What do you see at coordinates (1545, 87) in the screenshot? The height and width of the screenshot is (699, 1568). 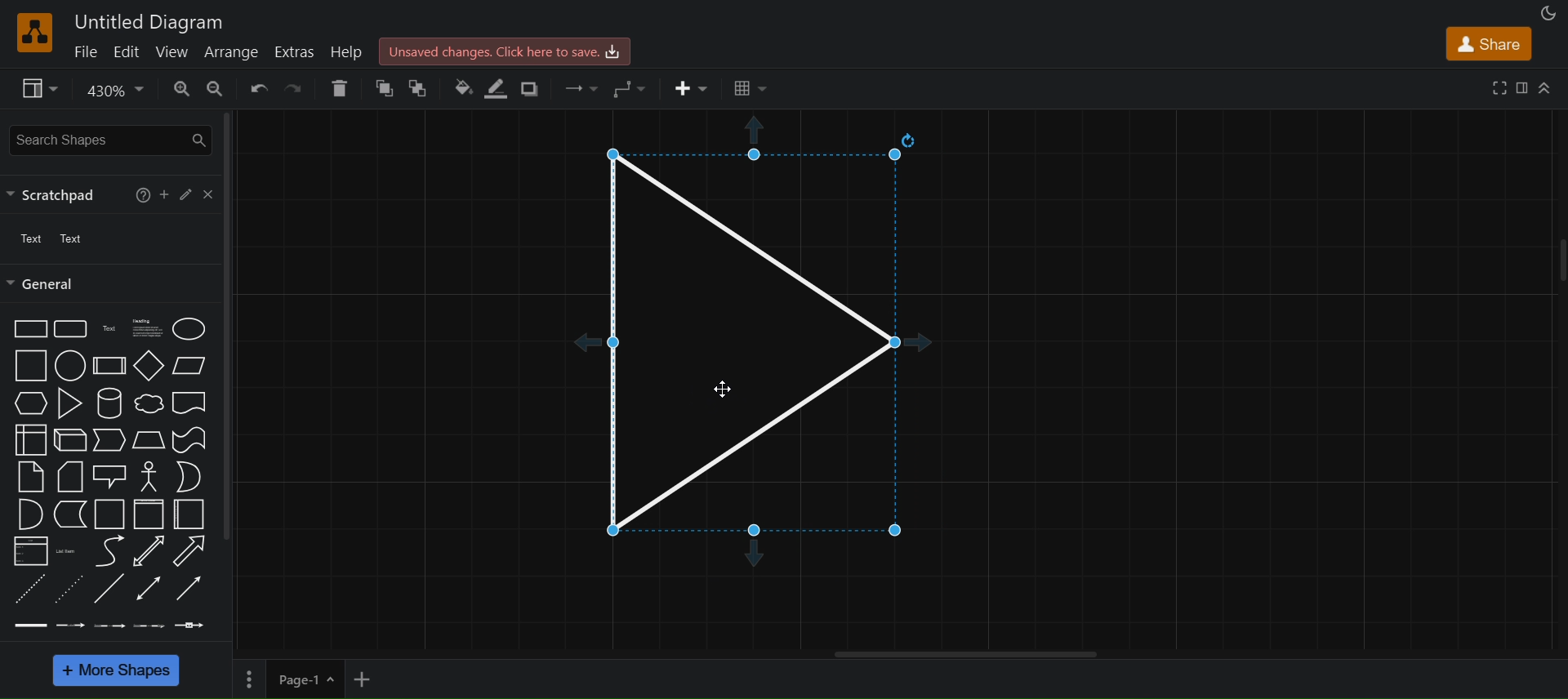 I see `Collapse/Expand` at bounding box center [1545, 87].